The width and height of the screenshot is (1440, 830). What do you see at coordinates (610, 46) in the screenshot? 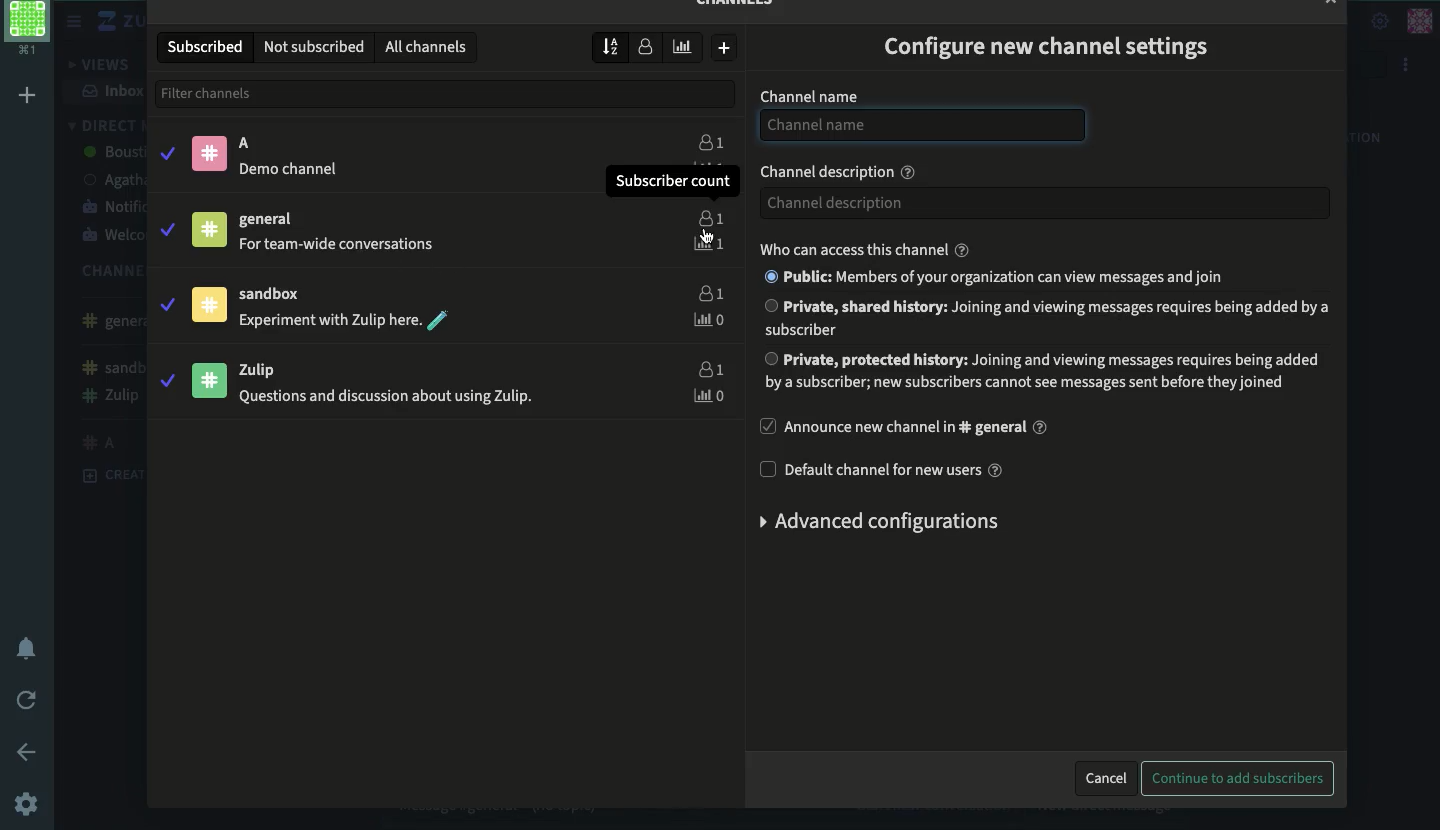
I see `sort` at bounding box center [610, 46].